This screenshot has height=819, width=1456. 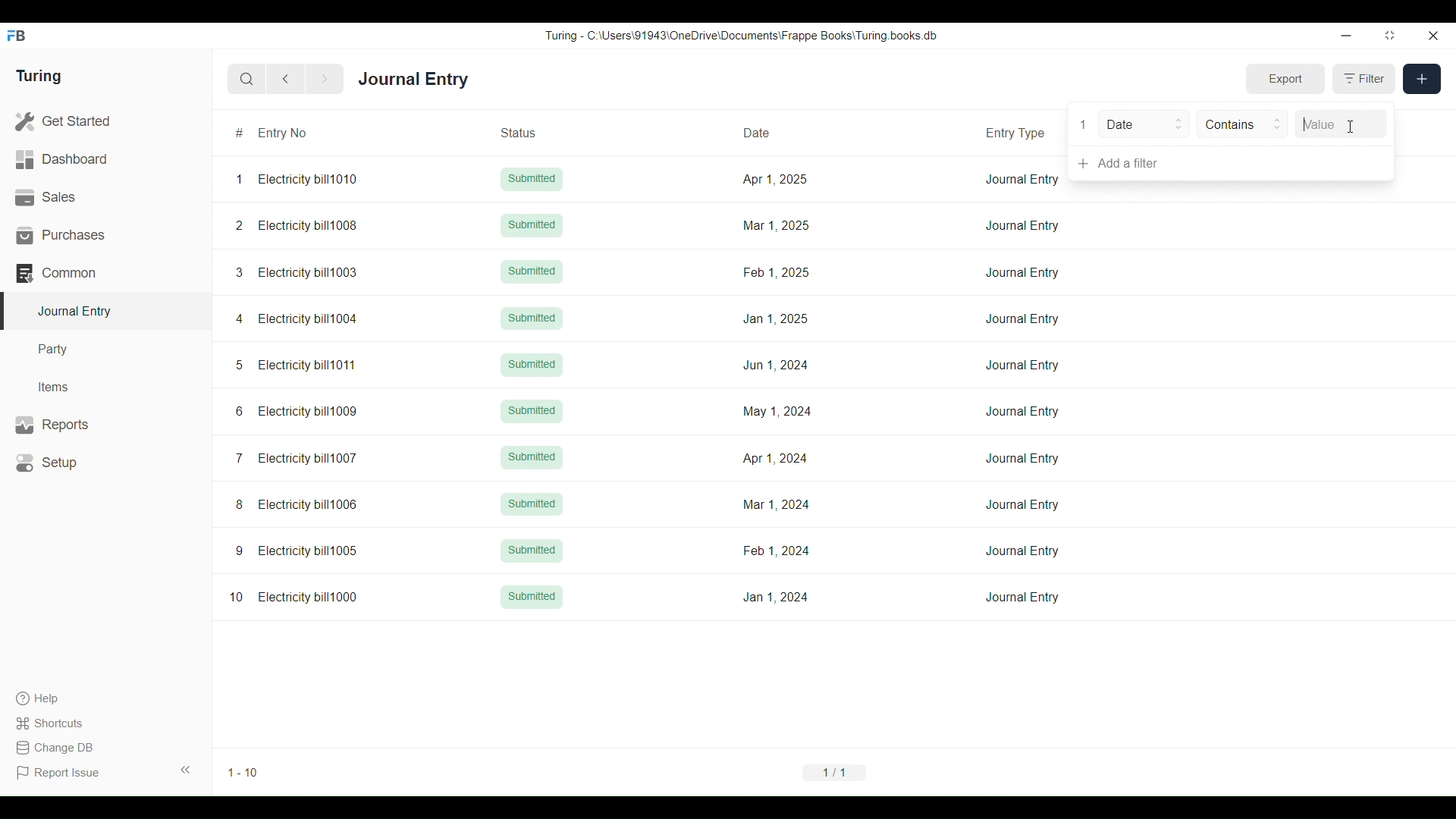 What do you see at coordinates (1351, 127) in the screenshot?
I see `Cursor` at bounding box center [1351, 127].